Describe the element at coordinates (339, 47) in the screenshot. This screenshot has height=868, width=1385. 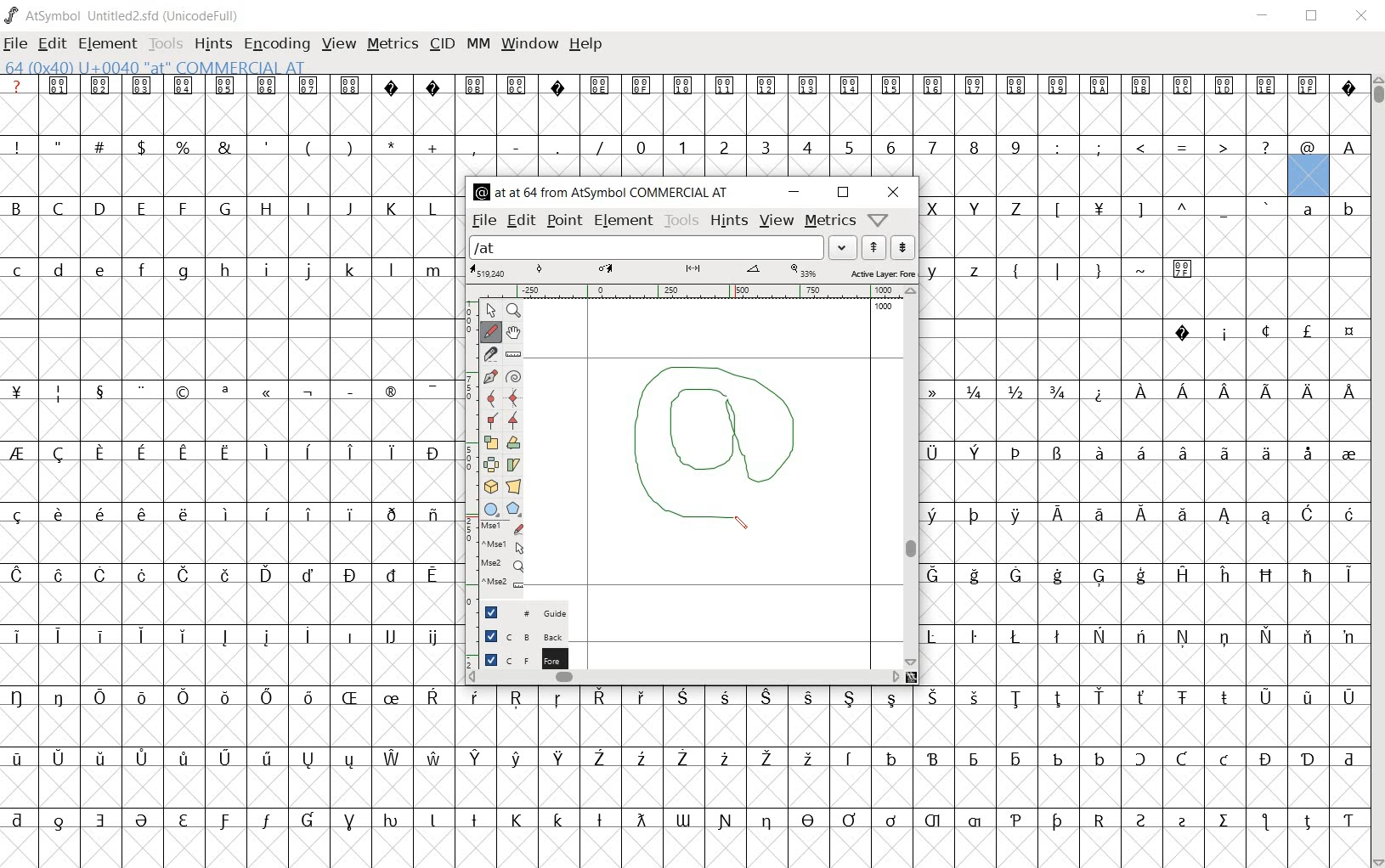
I see `VIEW` at that location.